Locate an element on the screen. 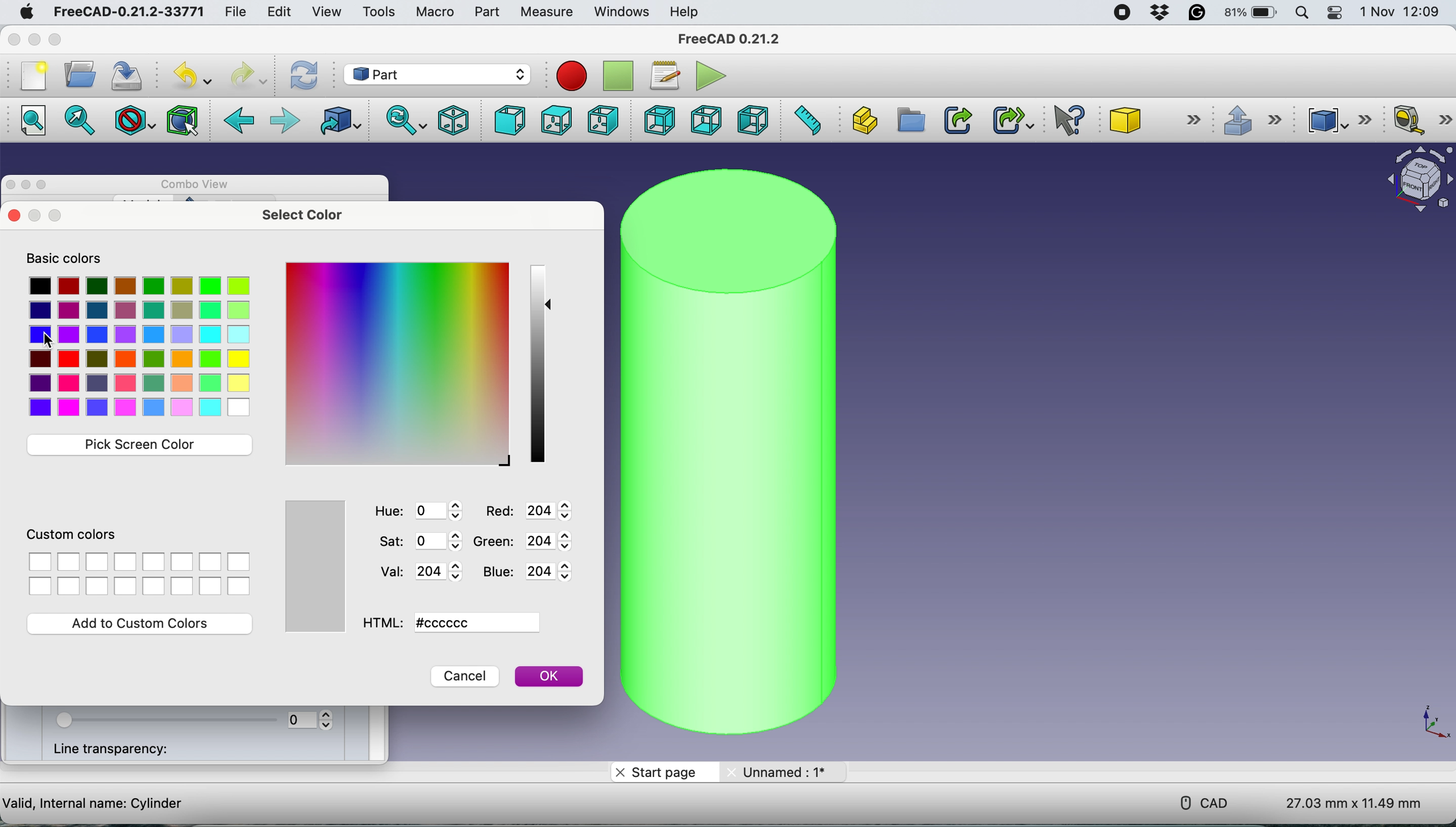  saturation is located at coordinates (422, 541).